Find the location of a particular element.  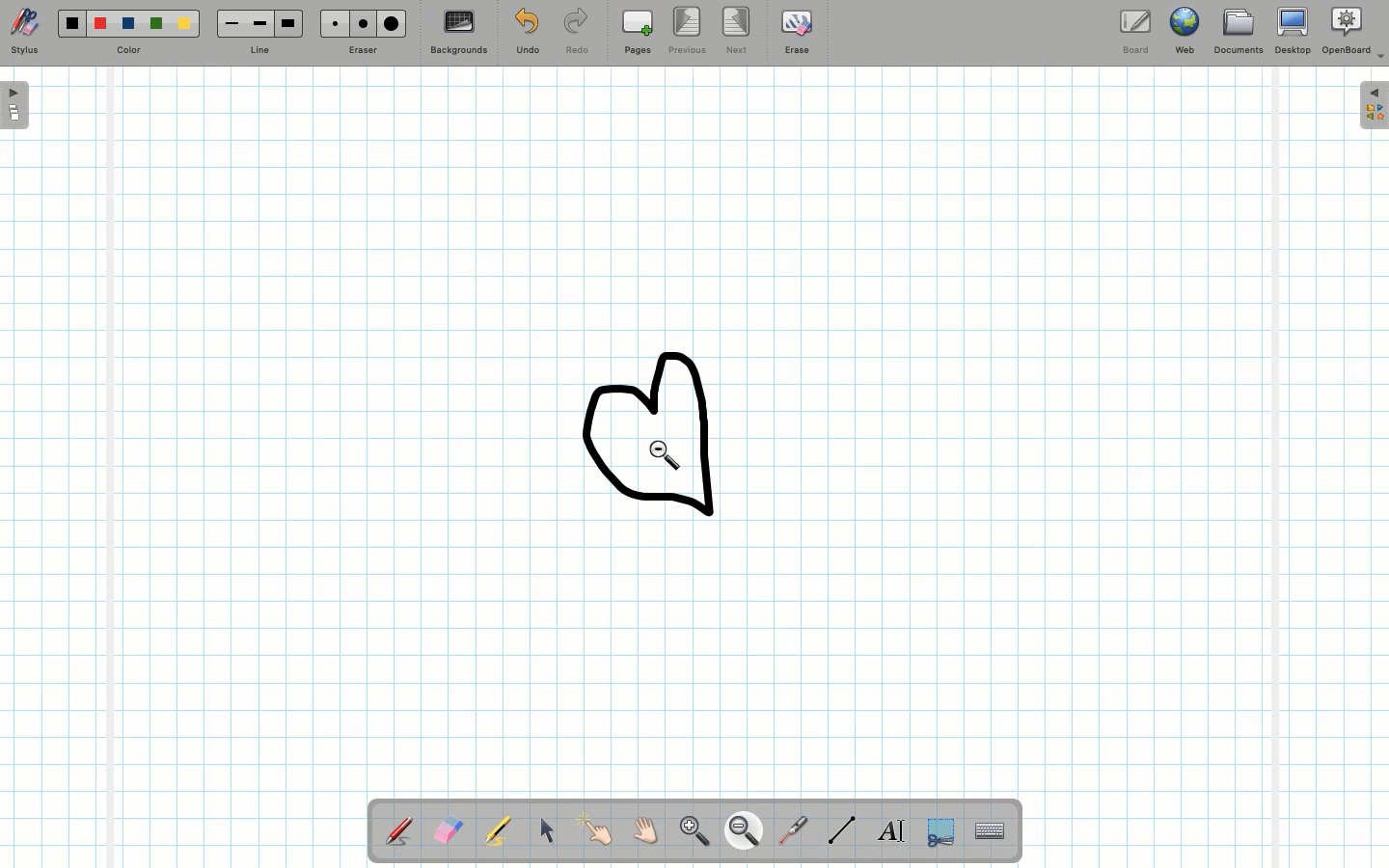

Board is located at coordinates (1139, 30).